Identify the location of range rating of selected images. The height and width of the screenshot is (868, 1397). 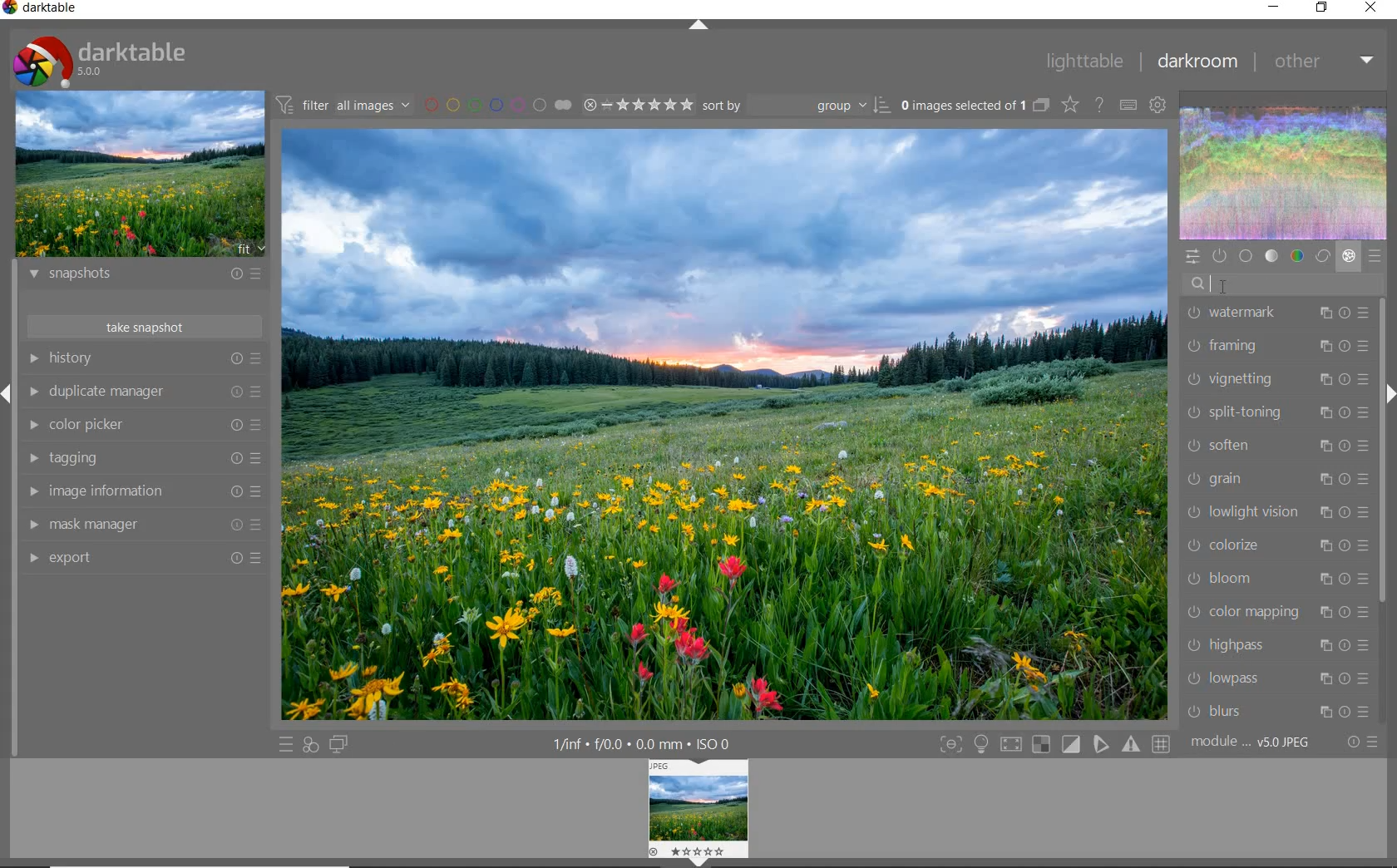
(640, 106).